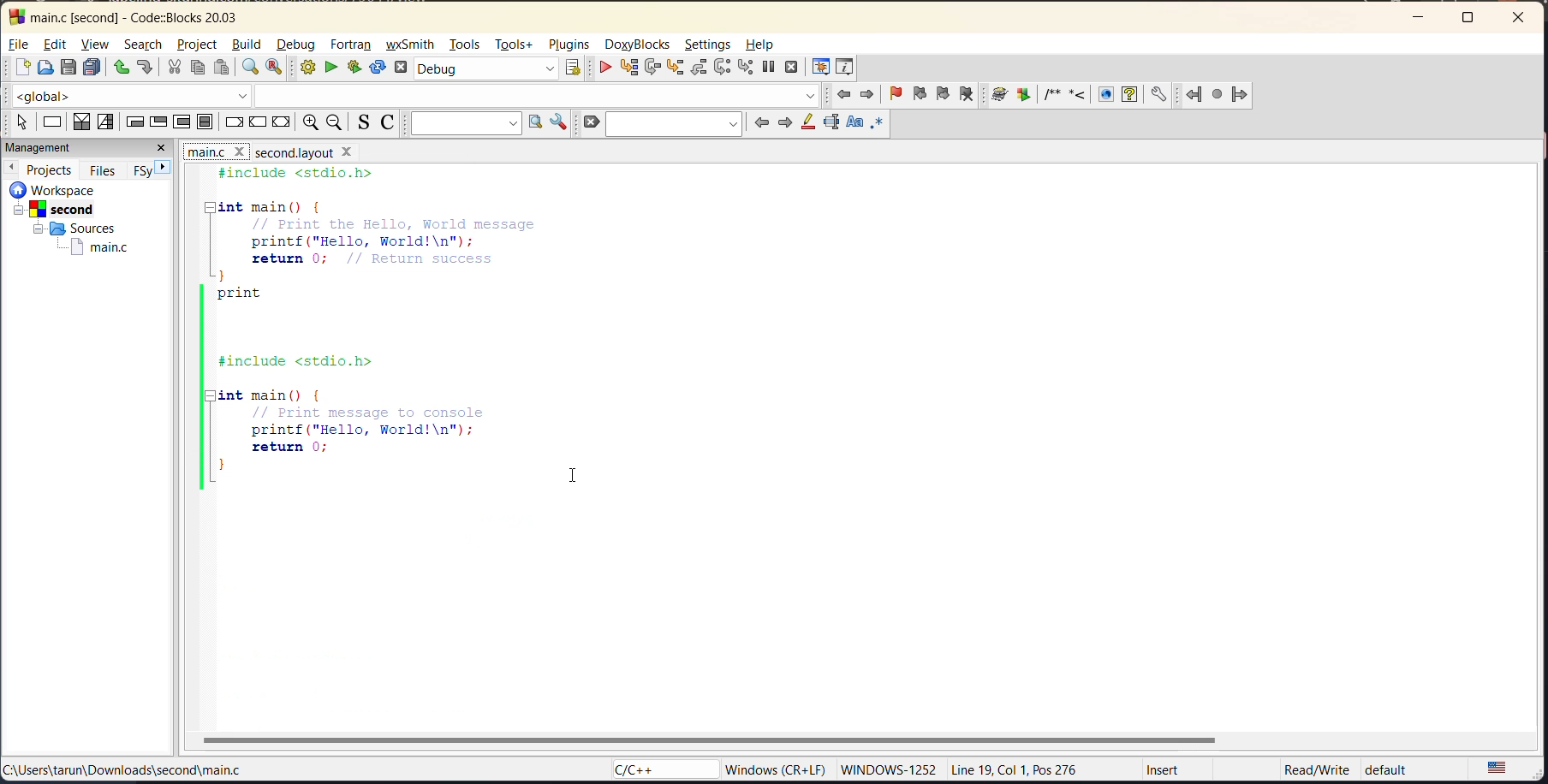 The height and width of the screenshot is (784, 1548). What do you see at coordinates (824, 66) in the screenshot?
I see `debugging windows` at bounding box center [824, 66].